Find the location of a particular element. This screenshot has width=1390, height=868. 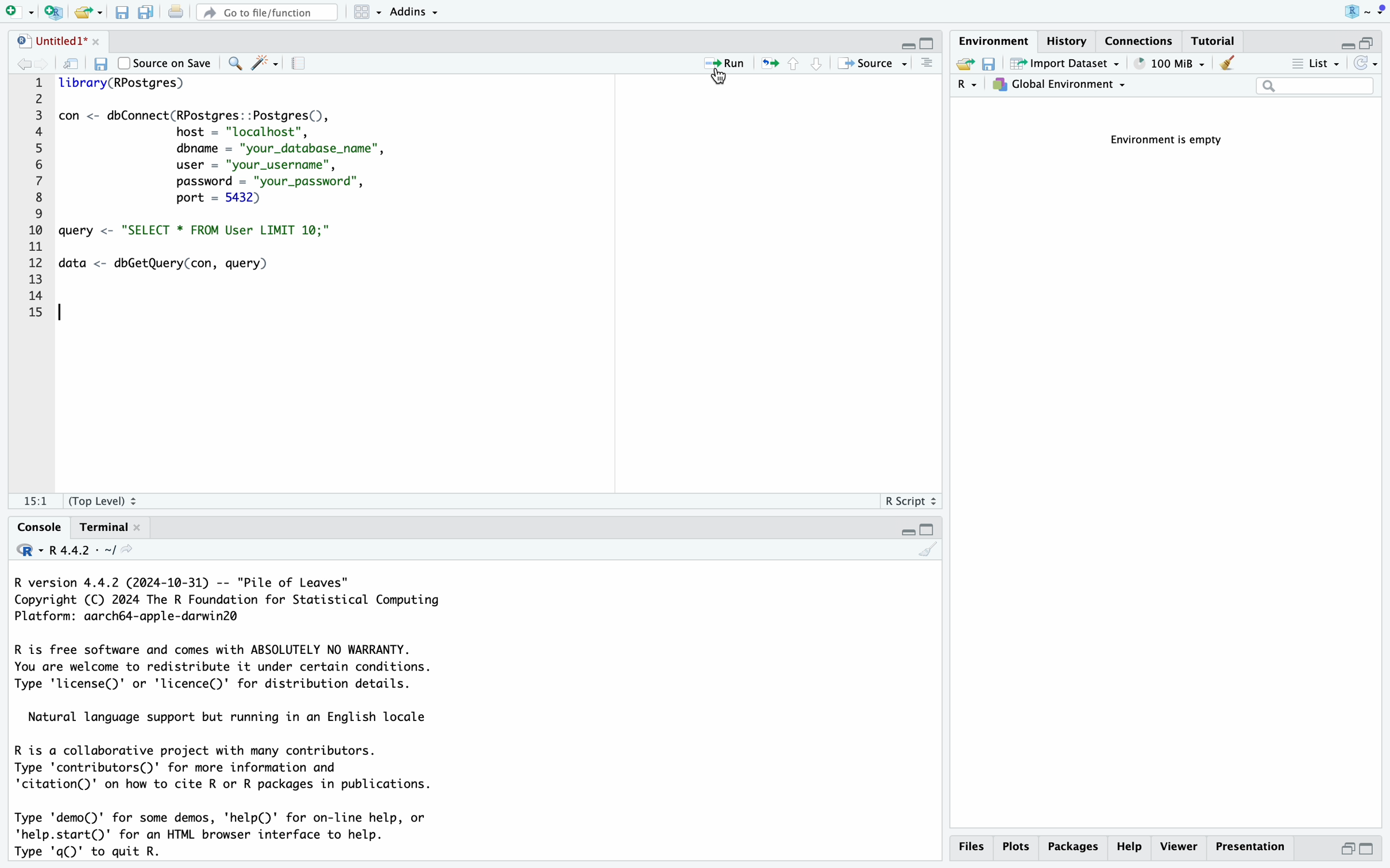

clear objects from the workspace is located at coordinates (1226, 64).